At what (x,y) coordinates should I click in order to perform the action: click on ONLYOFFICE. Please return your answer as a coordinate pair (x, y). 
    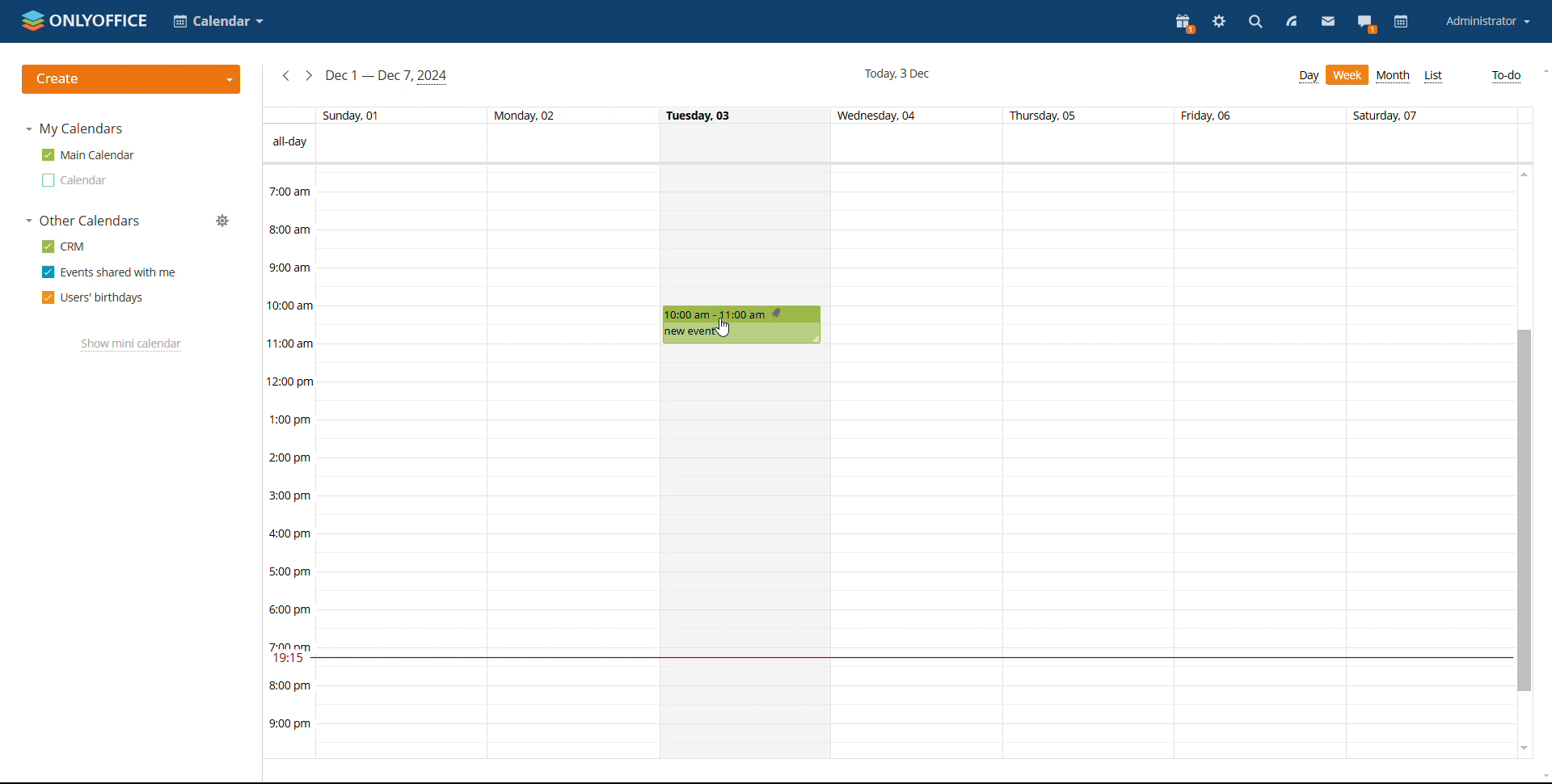
    Looking at the image, I should click on (83, 19).